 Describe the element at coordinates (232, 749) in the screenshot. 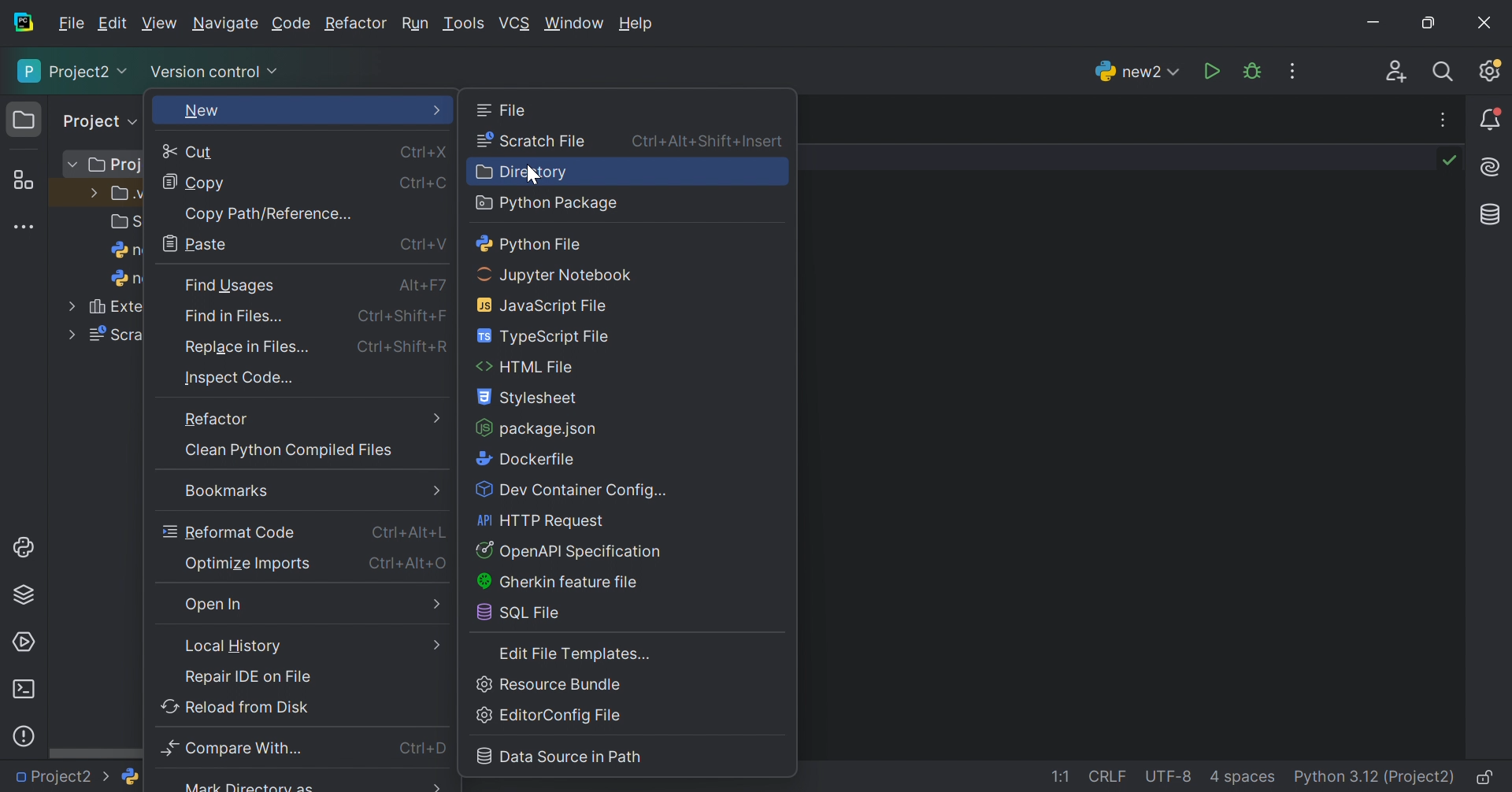

I see `Compare with...` at that location.